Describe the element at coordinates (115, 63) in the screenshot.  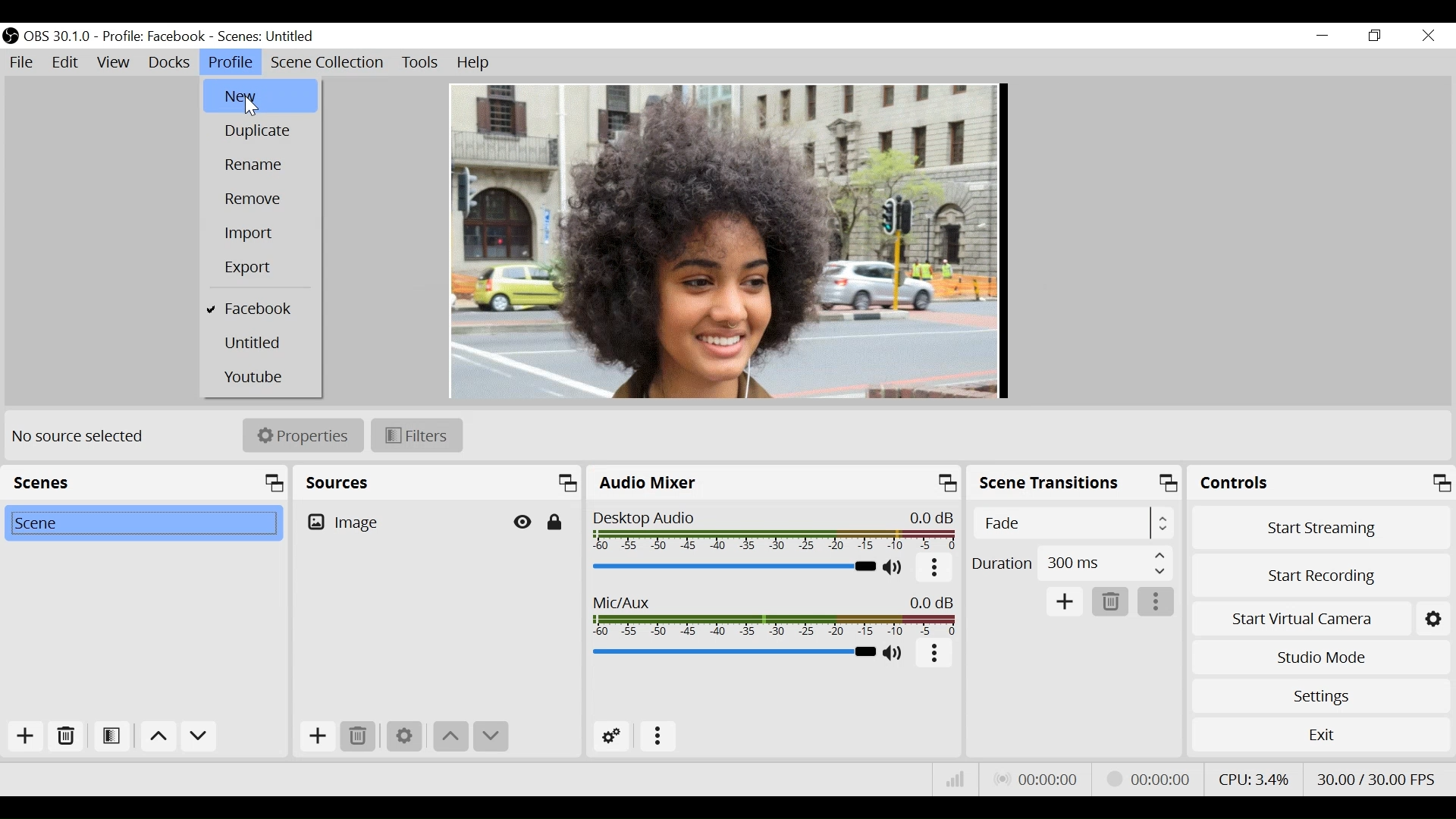
I see `View` at that location.